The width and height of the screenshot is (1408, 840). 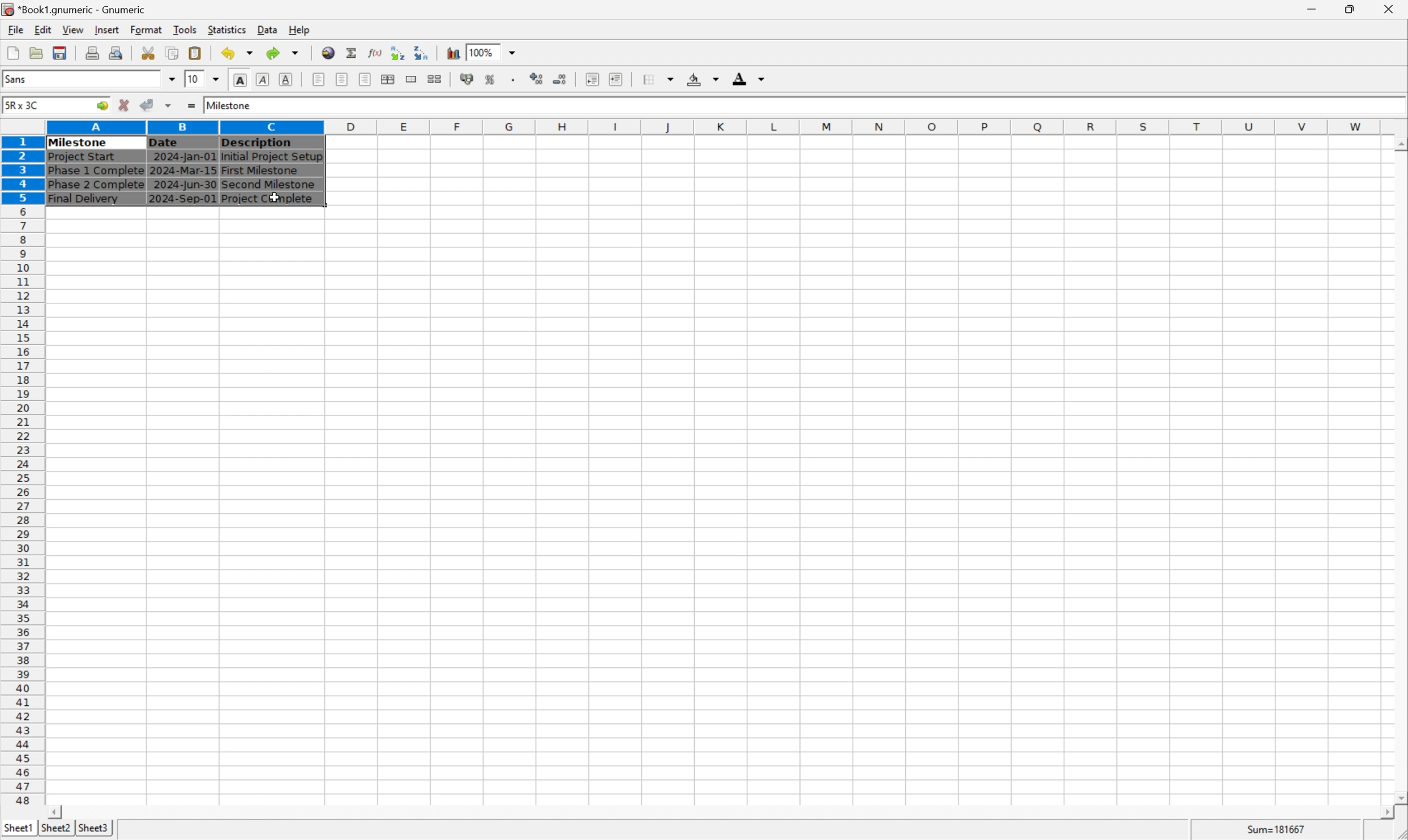 I want to click on view, so click(x=72, y=30).